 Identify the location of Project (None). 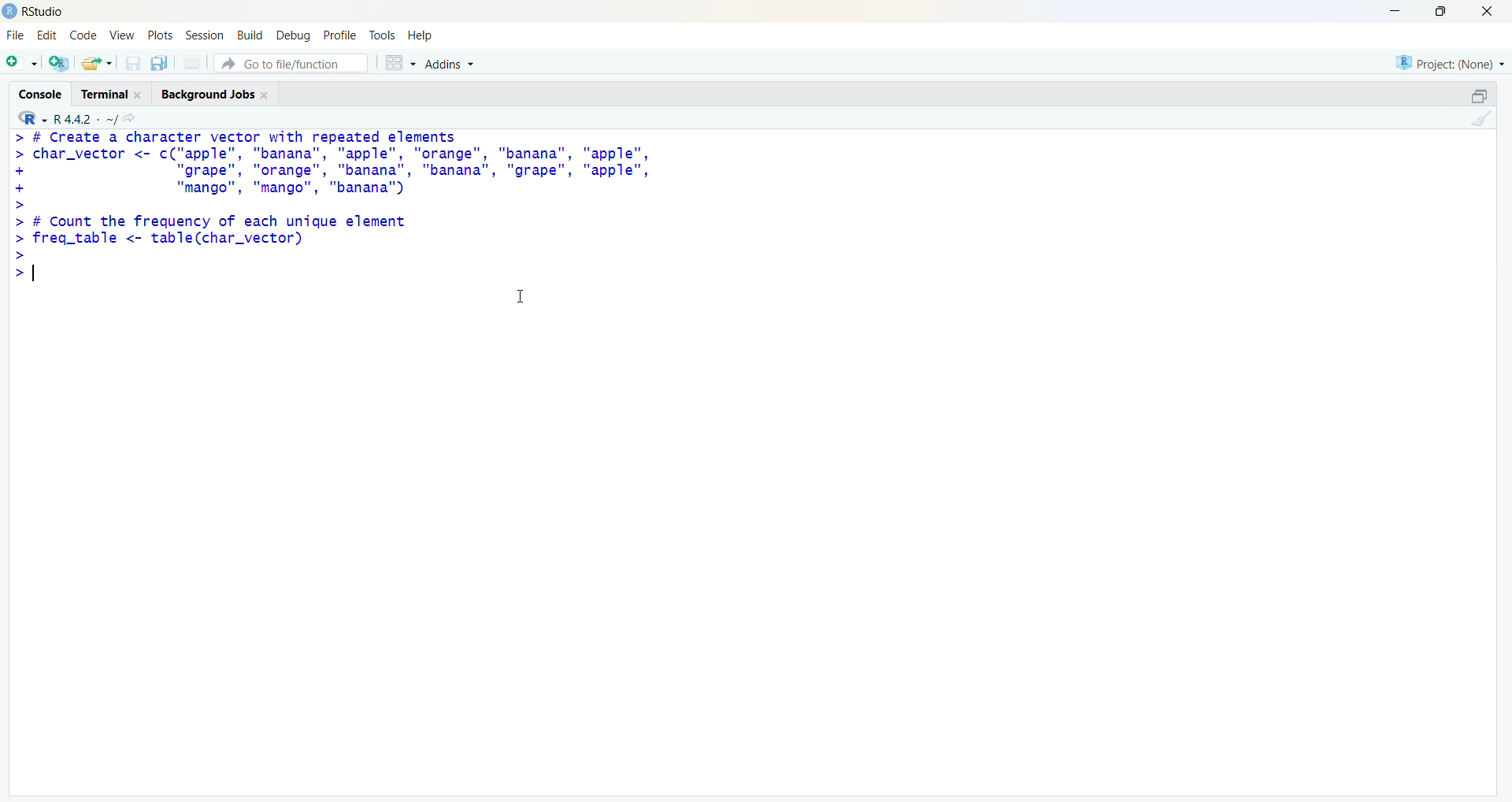
(1446, 60).